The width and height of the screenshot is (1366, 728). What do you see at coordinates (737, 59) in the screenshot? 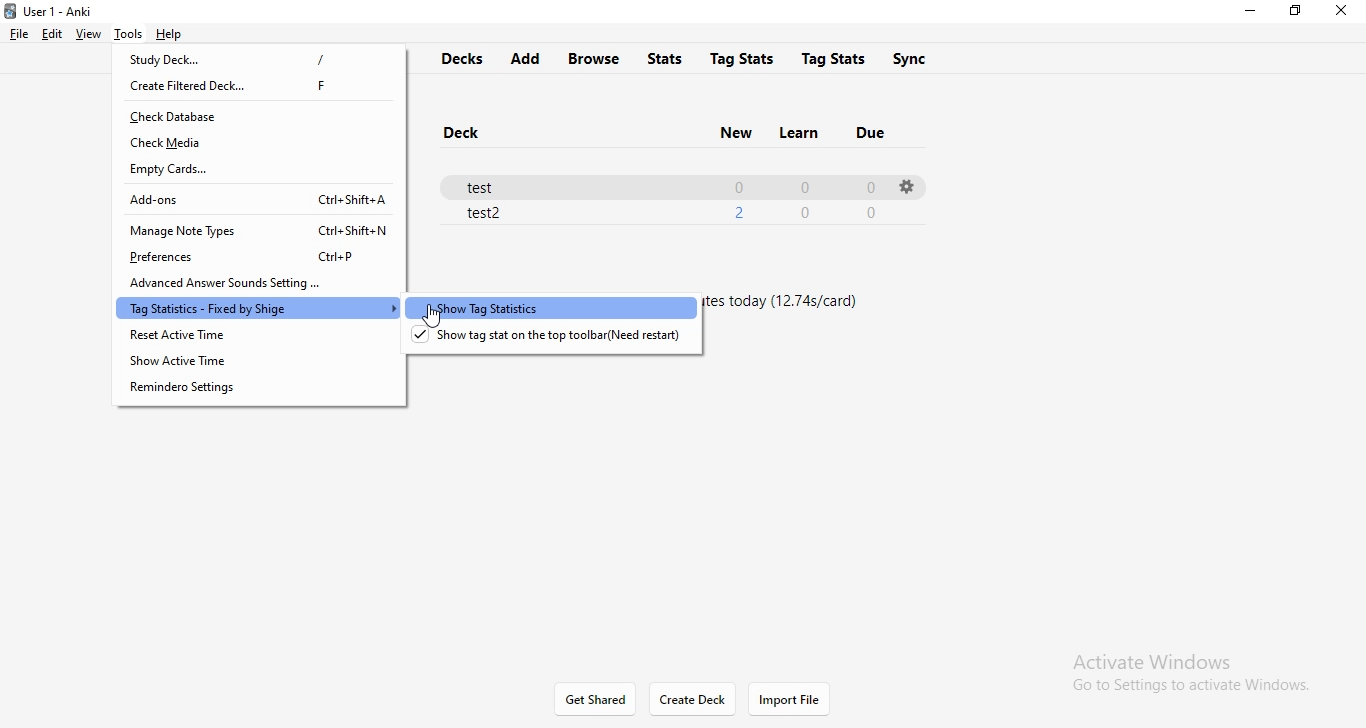
I see `tag stats` at bounding box center [737, 59].